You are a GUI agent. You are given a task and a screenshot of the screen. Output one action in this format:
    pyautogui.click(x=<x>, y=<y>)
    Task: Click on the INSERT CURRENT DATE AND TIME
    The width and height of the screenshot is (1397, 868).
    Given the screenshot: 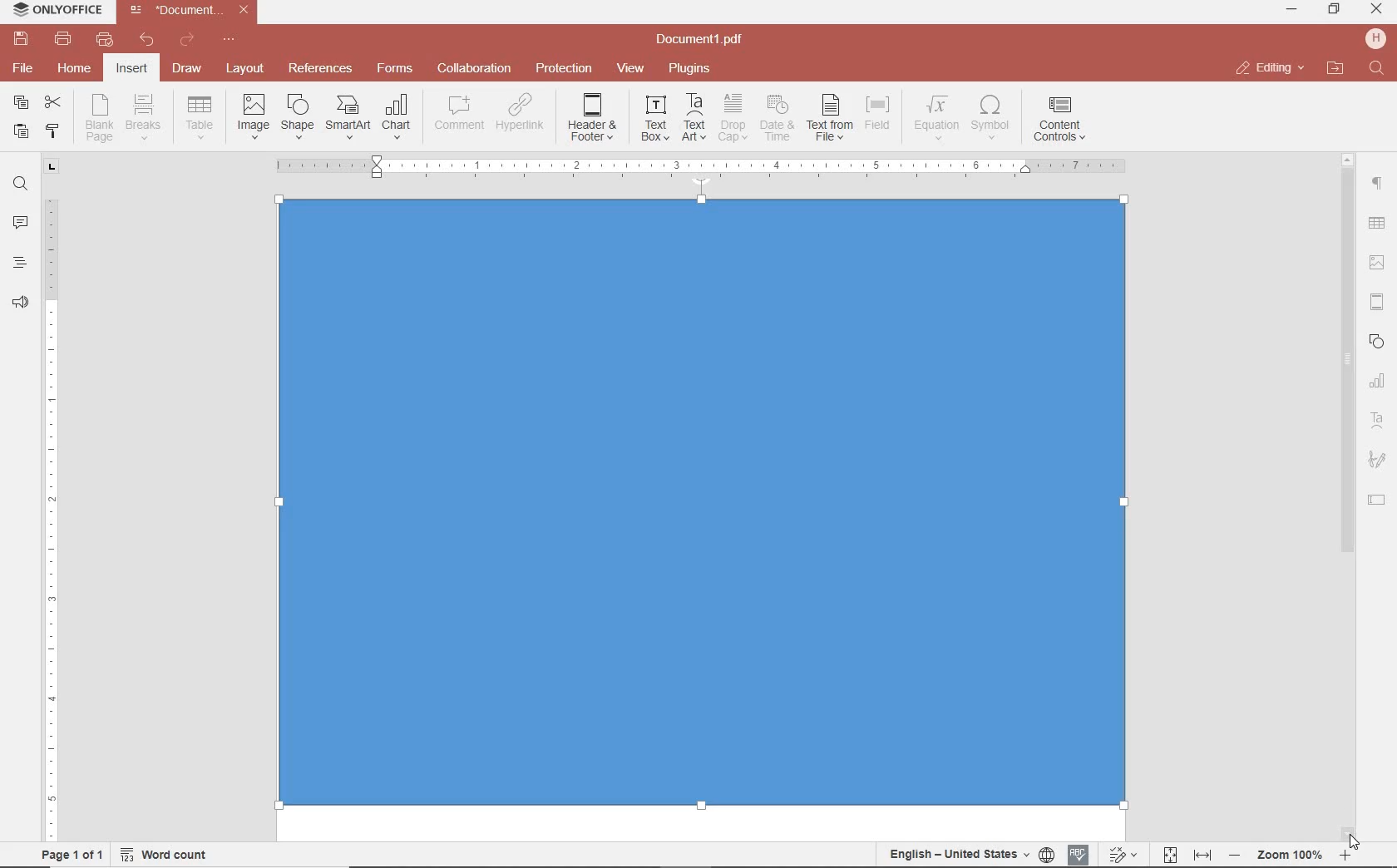 What is the action you would take?
    pyautogui.click(x=775, y=119)
    